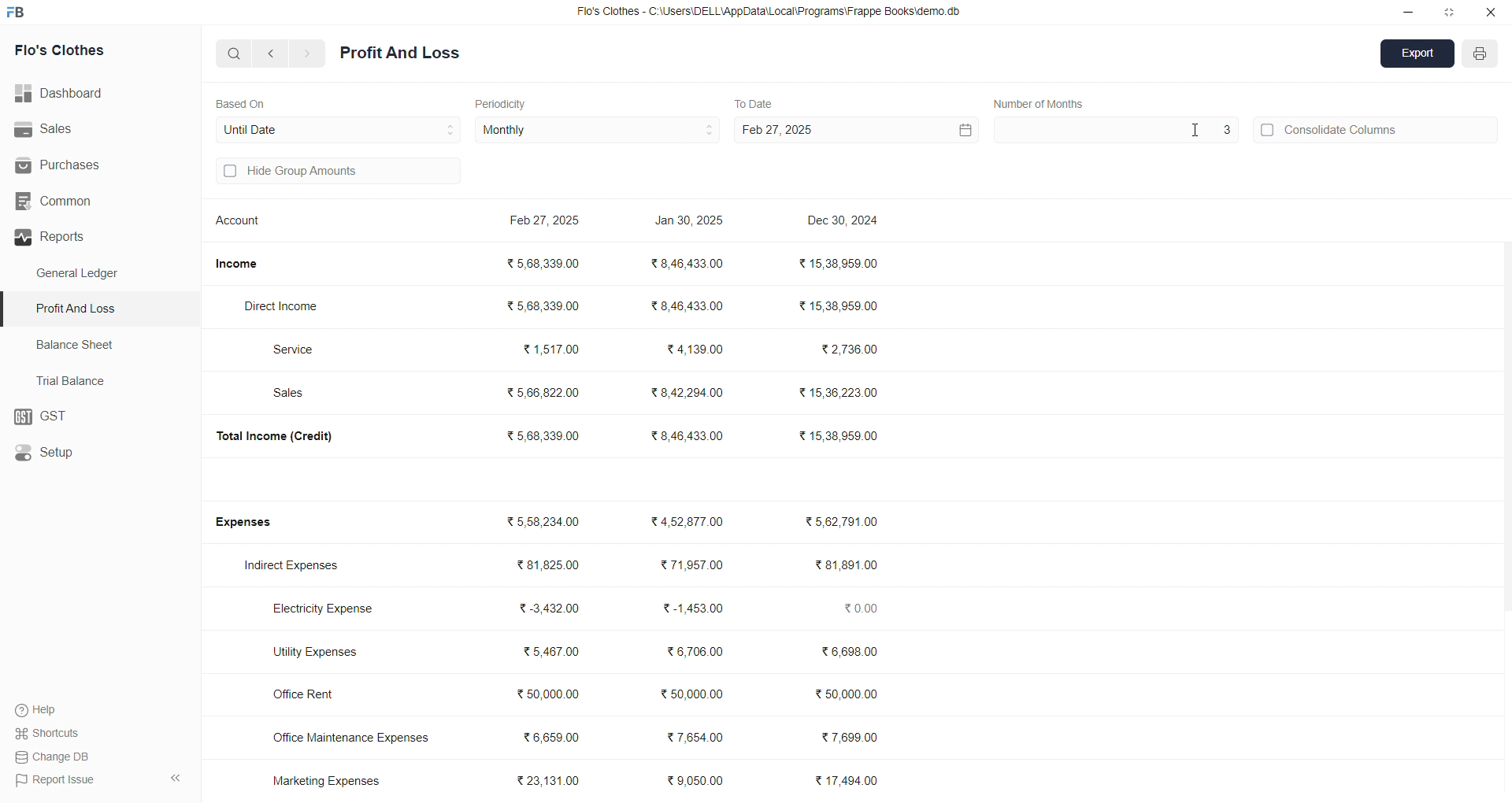 Image resolution: width=1512 pixels, height=803 pixels. Describe the element at coordinates (841, 436) in the screenshot. I see `₹15,38,959.00` at that location.